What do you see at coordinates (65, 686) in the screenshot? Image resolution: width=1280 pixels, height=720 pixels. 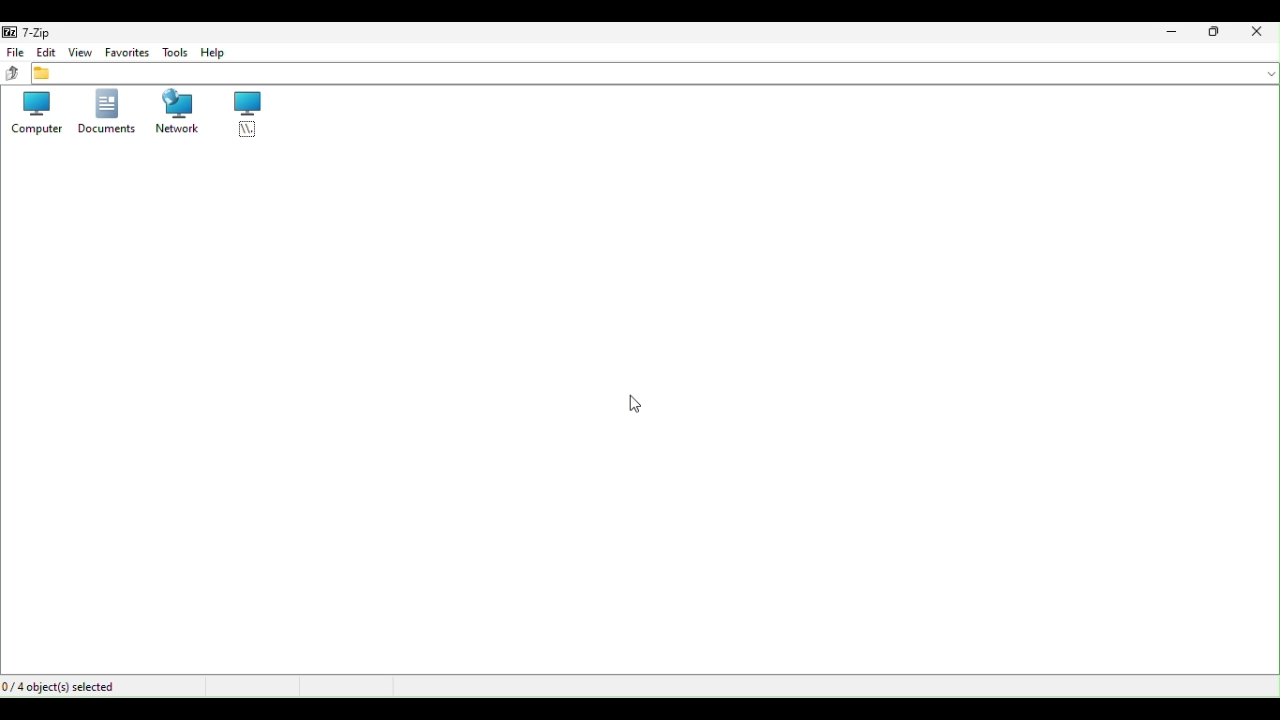 I see `4 object selected` at bounding box center [65, 686].